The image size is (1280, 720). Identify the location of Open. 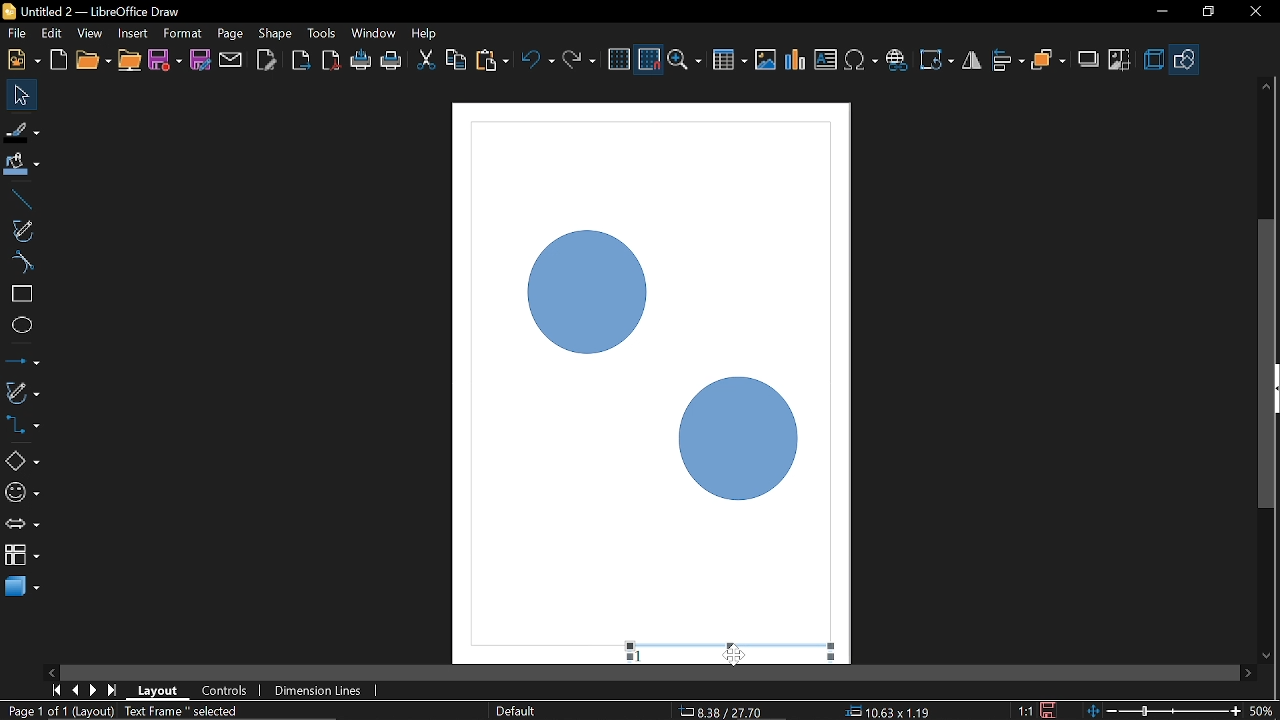
(92, 61).